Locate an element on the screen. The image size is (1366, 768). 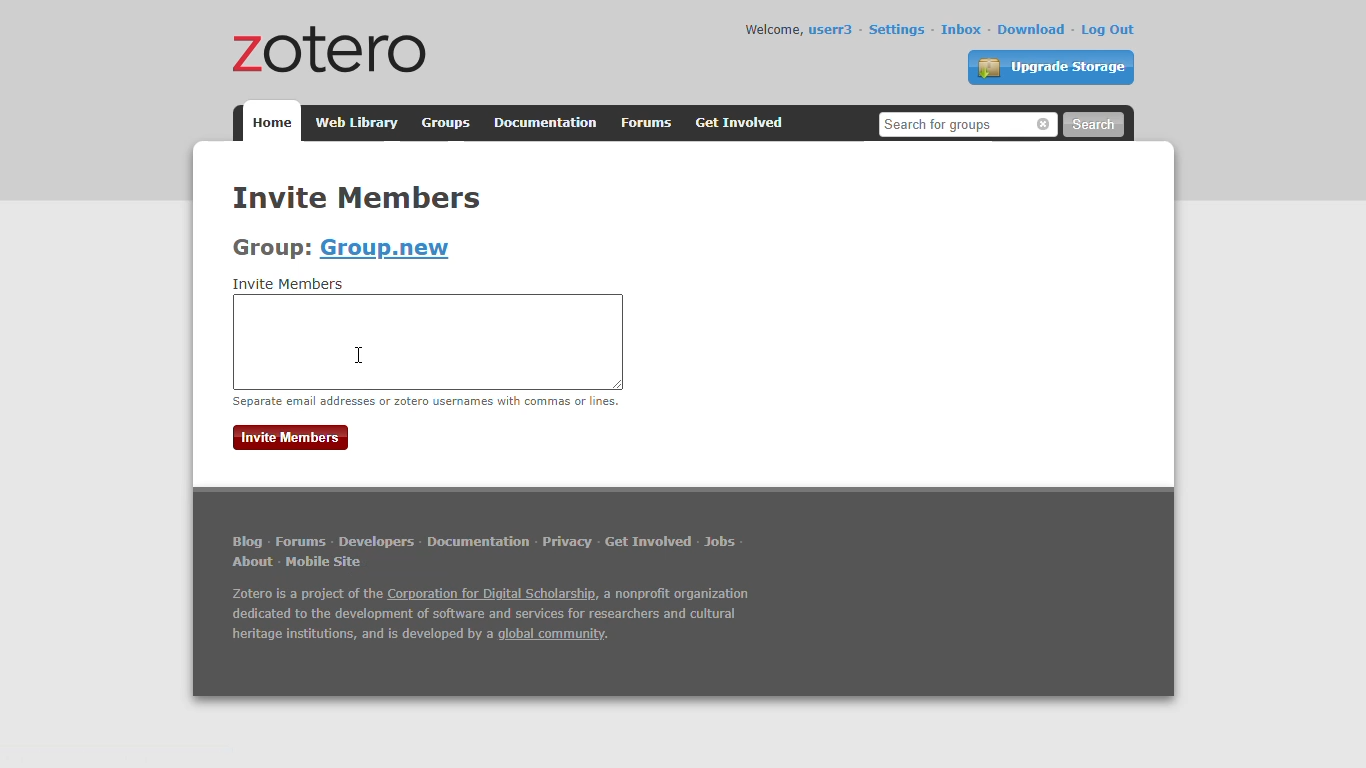
invite members is located at coordinates (290, 284).